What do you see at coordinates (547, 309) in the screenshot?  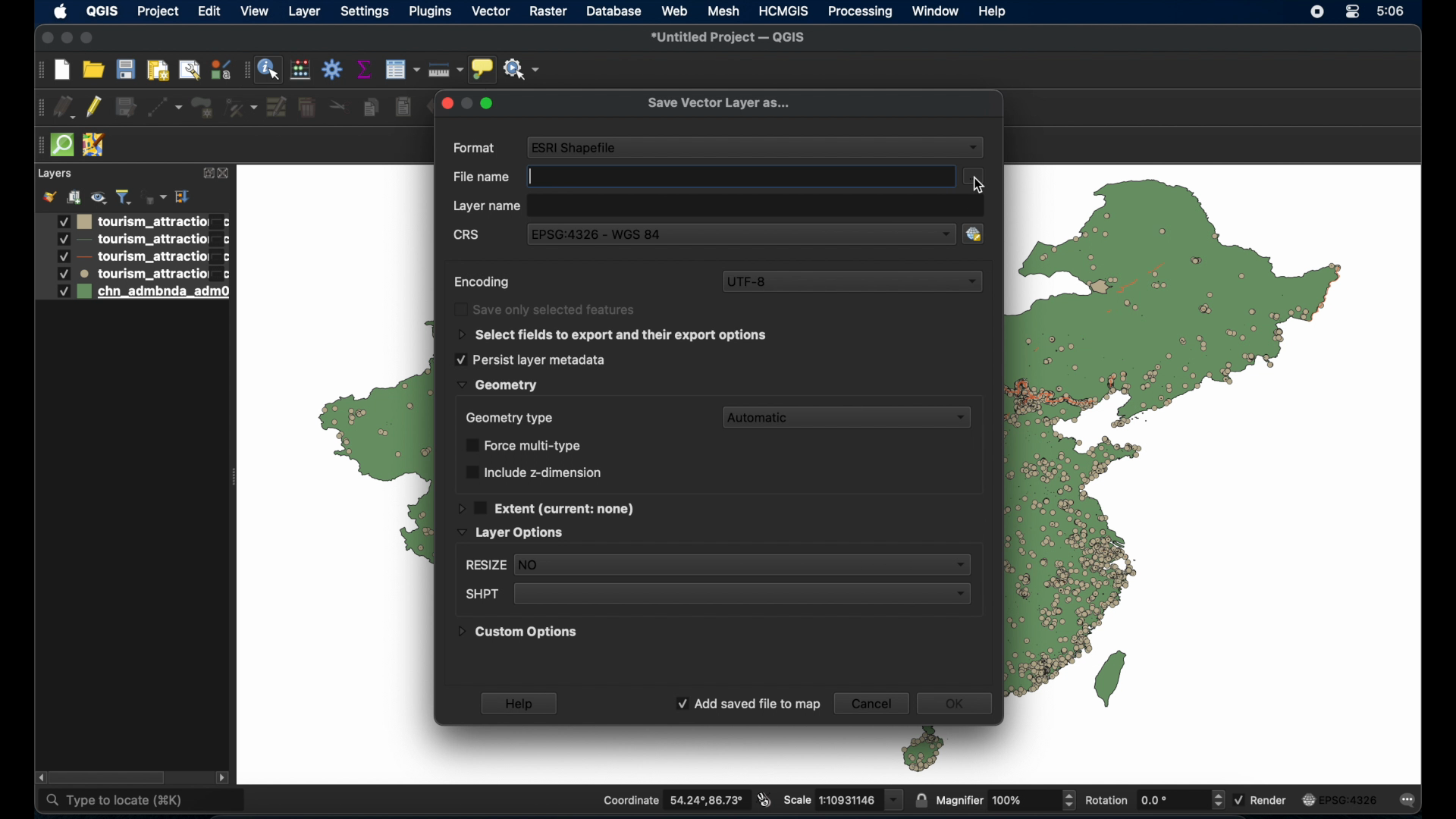 I see `save only selected features` at bounding box center [547, 309].